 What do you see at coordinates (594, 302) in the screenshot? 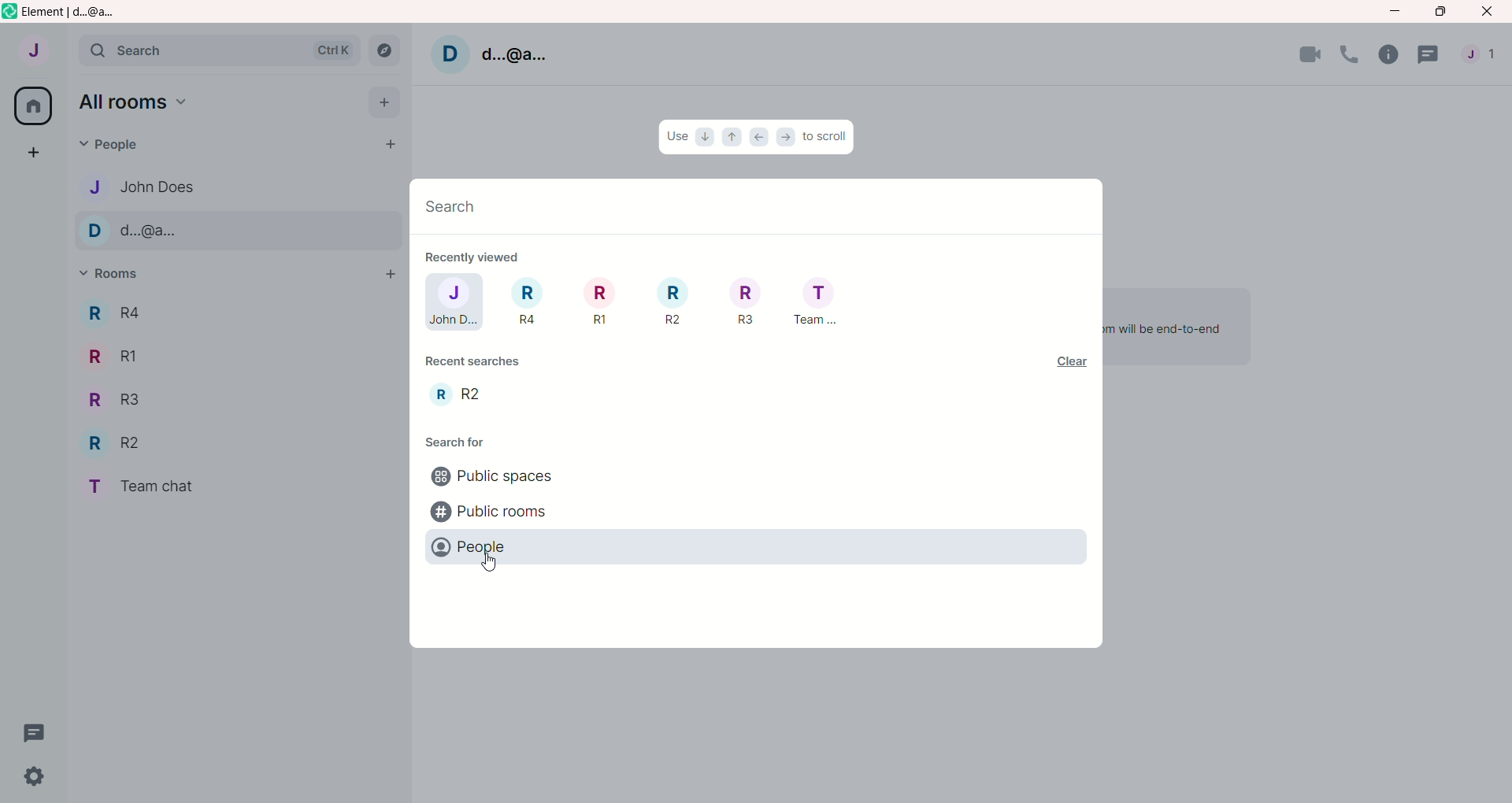
I see `recent user r1` at bounding box center [594, 302].